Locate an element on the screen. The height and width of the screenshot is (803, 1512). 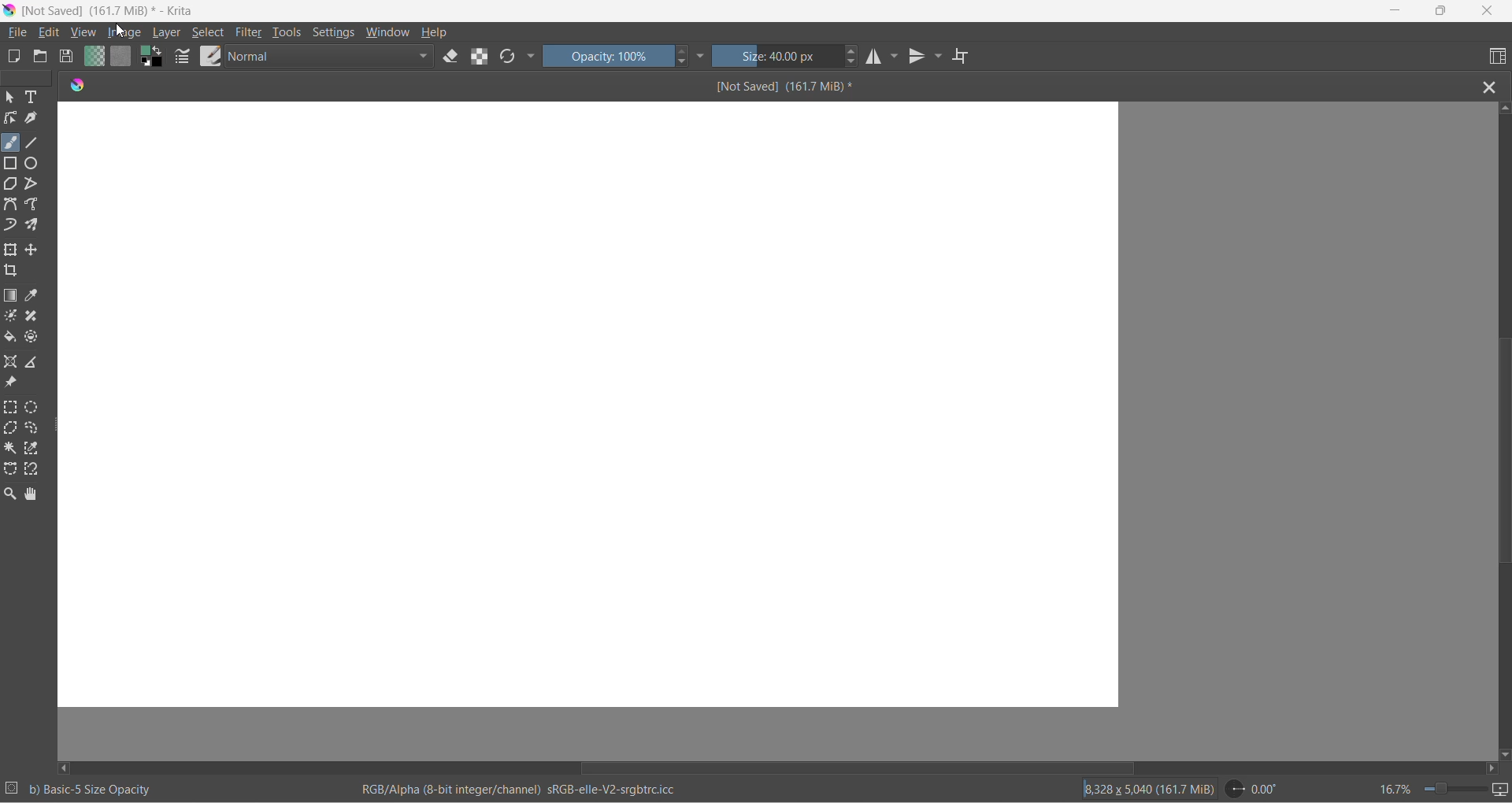
zoom slider is located at coordinates (1448, 789).